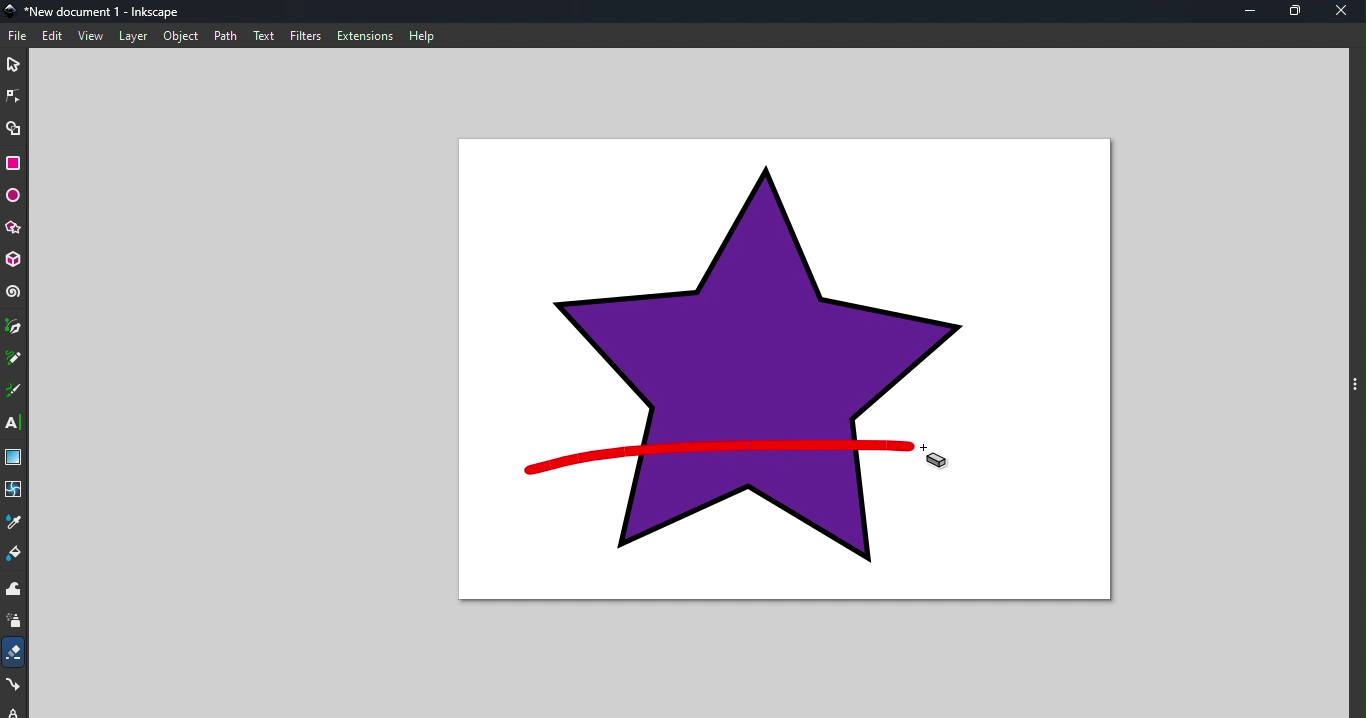 The image size is (1366, 718). Describe the element at coordinates (1299, 12) in the screenshot. I see `maximize` at that location.